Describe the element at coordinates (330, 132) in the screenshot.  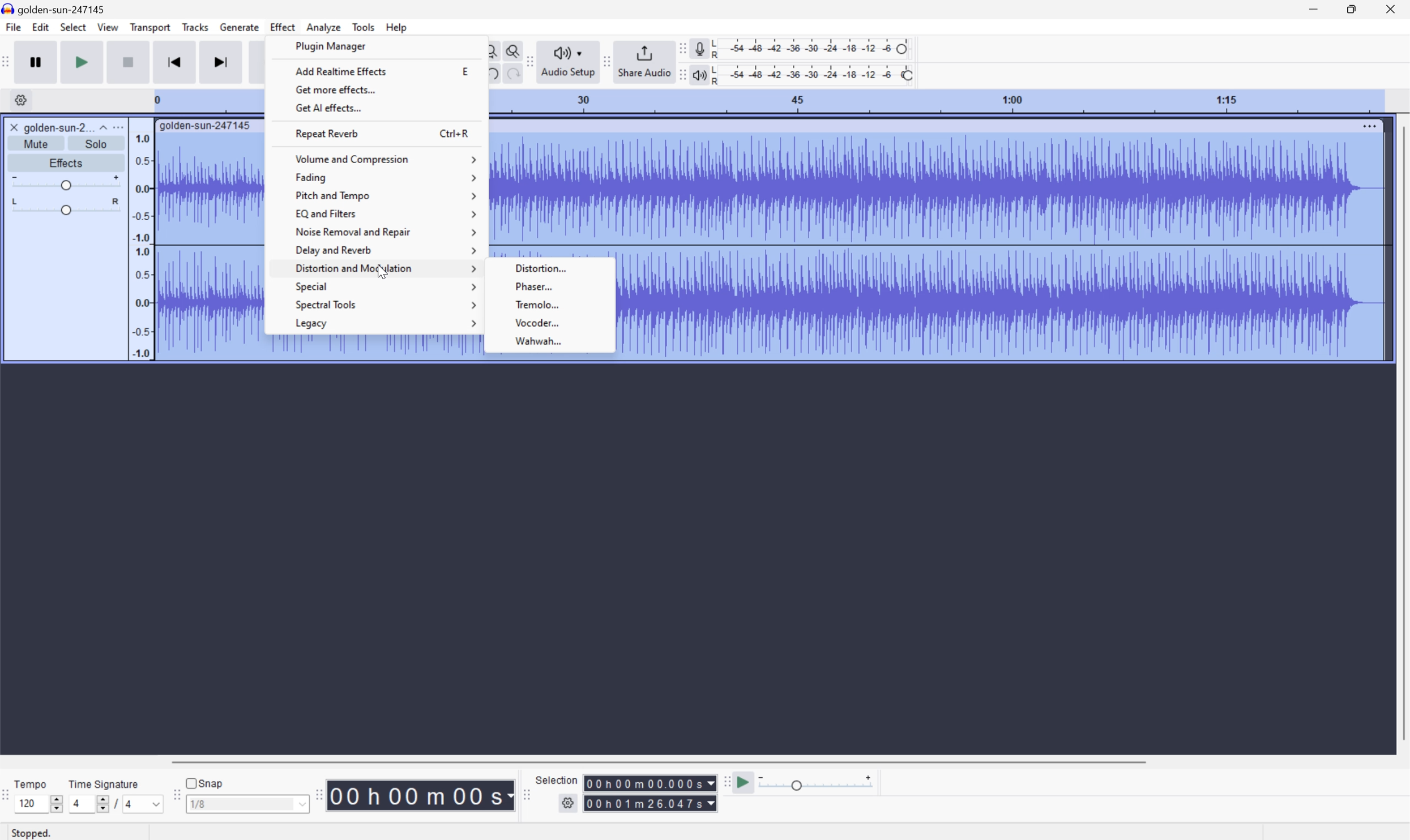
I see `Repeat Reverb` at that location.